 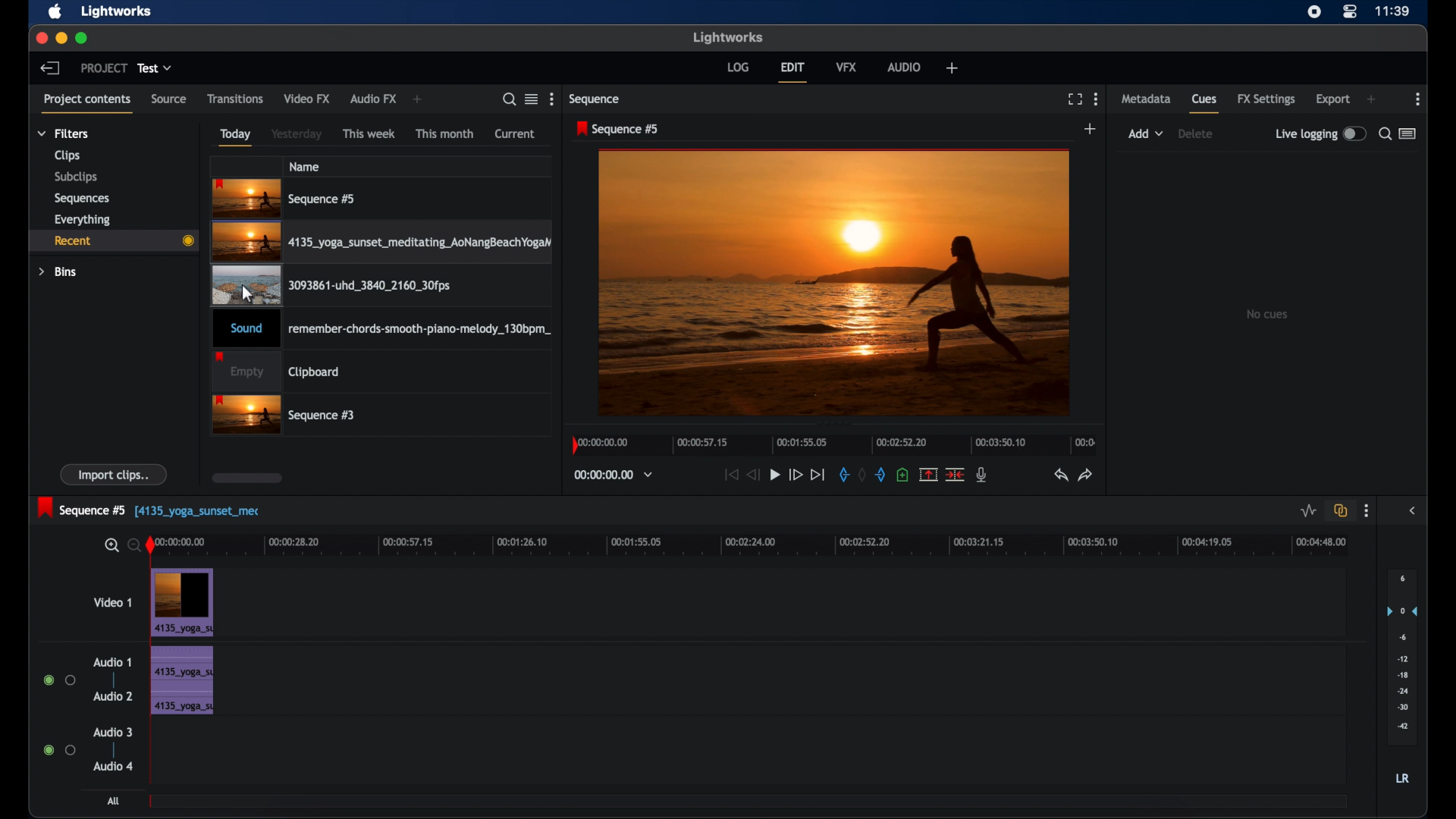 What do you see at coordinates (847, 68) in the screenshot?
I see `vfx` at bounding box center [847, 68].